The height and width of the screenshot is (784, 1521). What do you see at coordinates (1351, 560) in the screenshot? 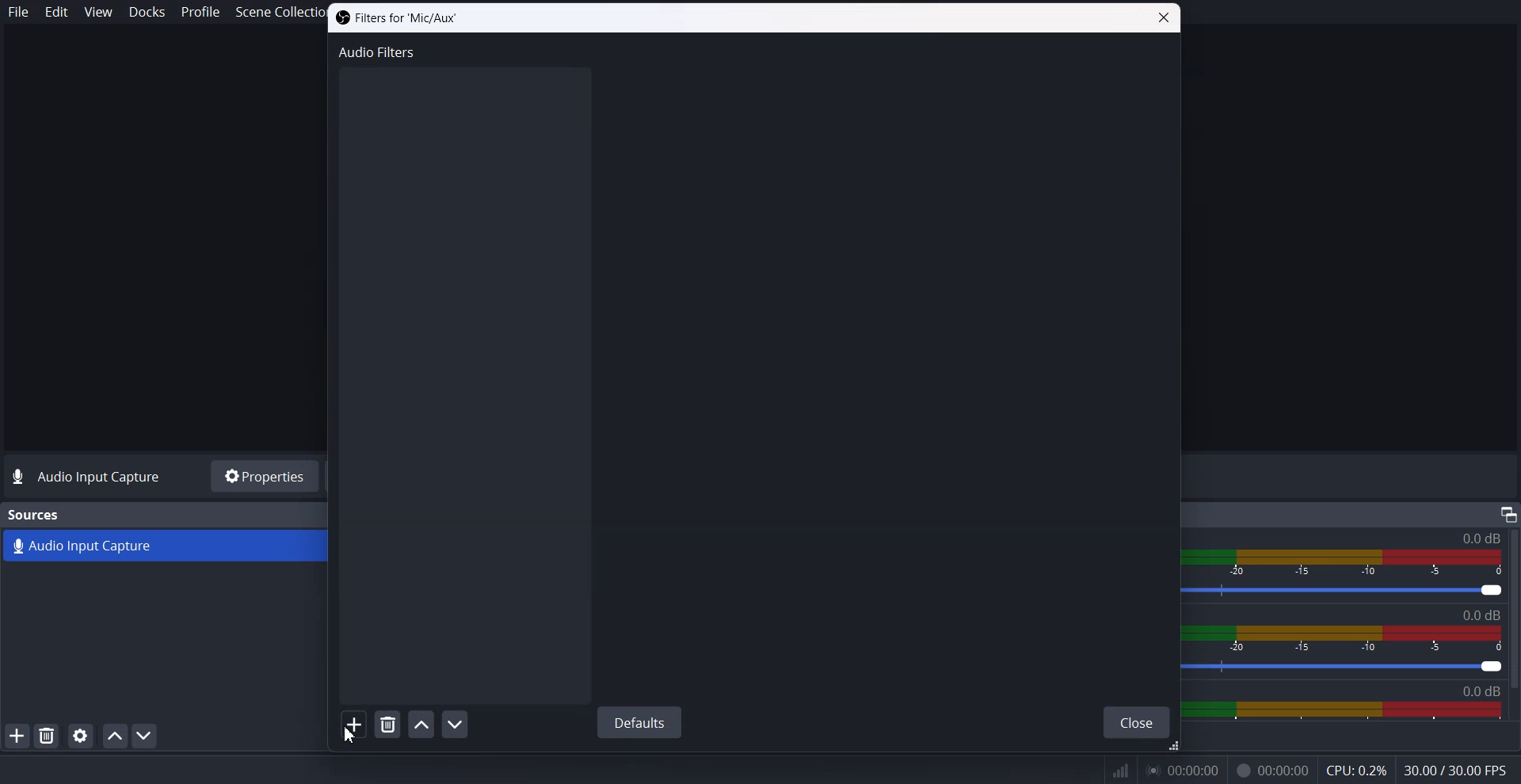
I see `Volume Indicator` at bounding box center [1351, 560].